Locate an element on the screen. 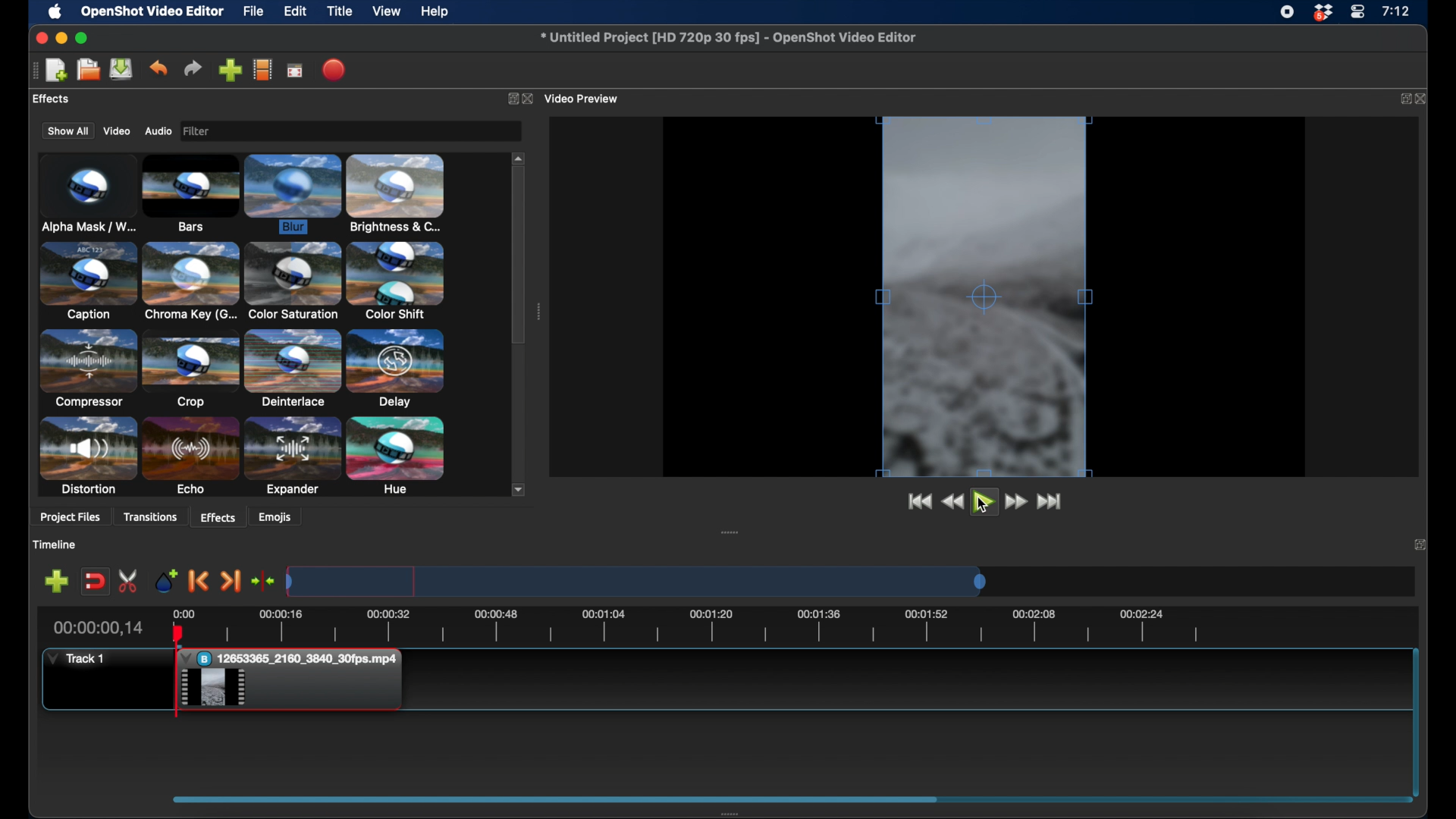 This screenshot has width=1456, height=819. color saturation is located at coordinates (292, 281).